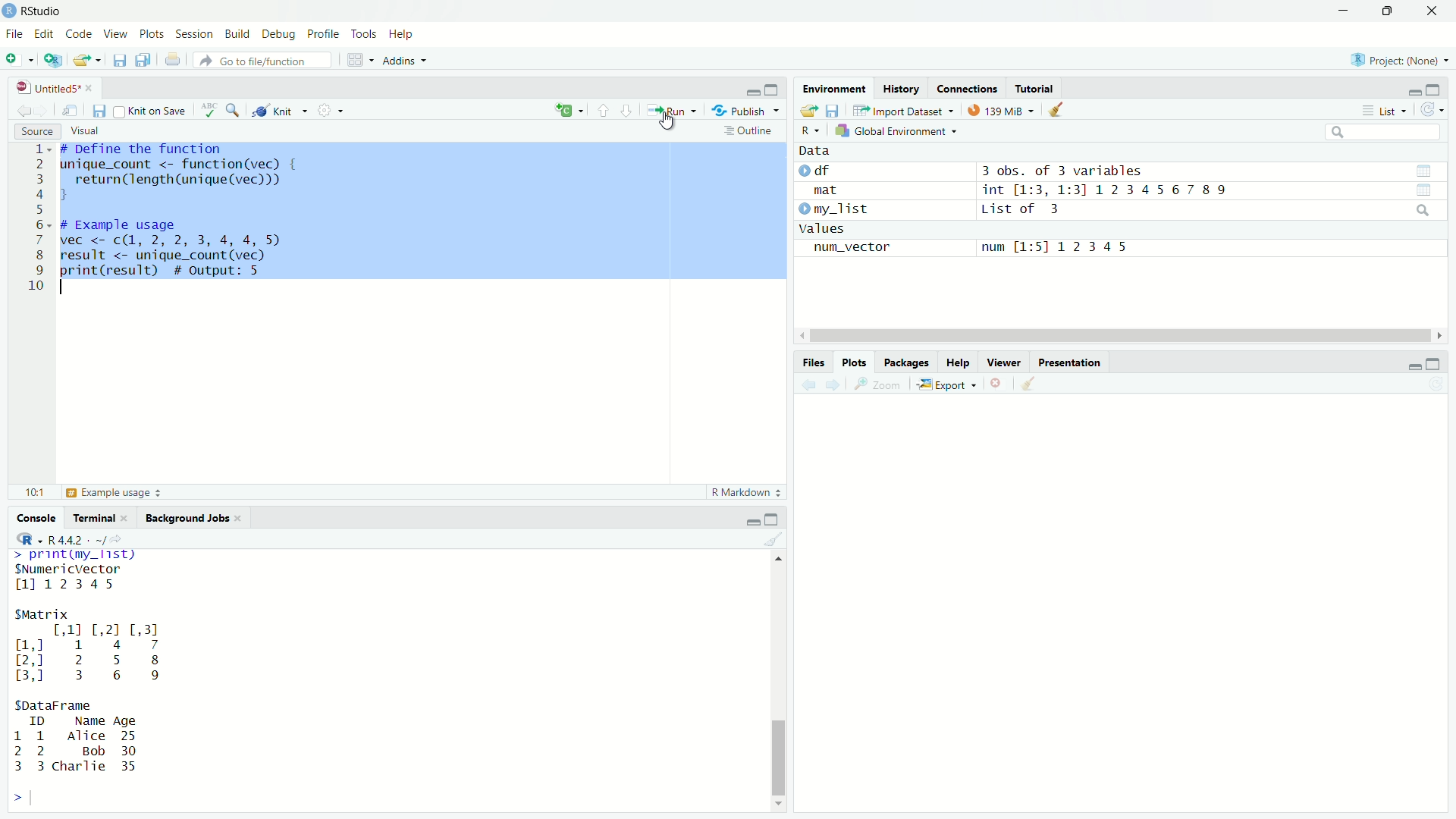 The width and height of the screenshot is (1456, 819). I want to click on maximize, so click(774, 90).